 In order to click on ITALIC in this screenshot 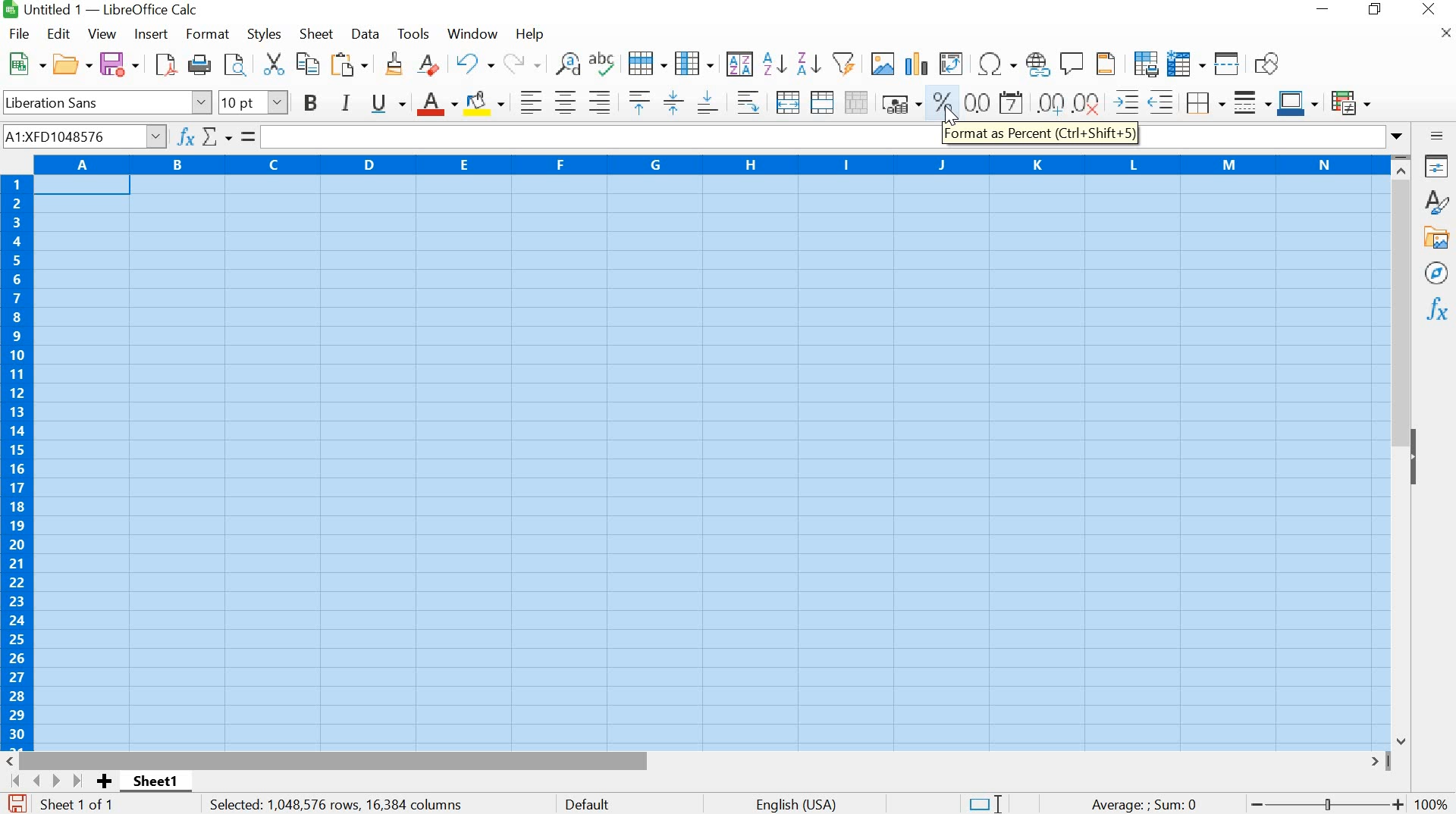, I will do `click(346, 103)`.